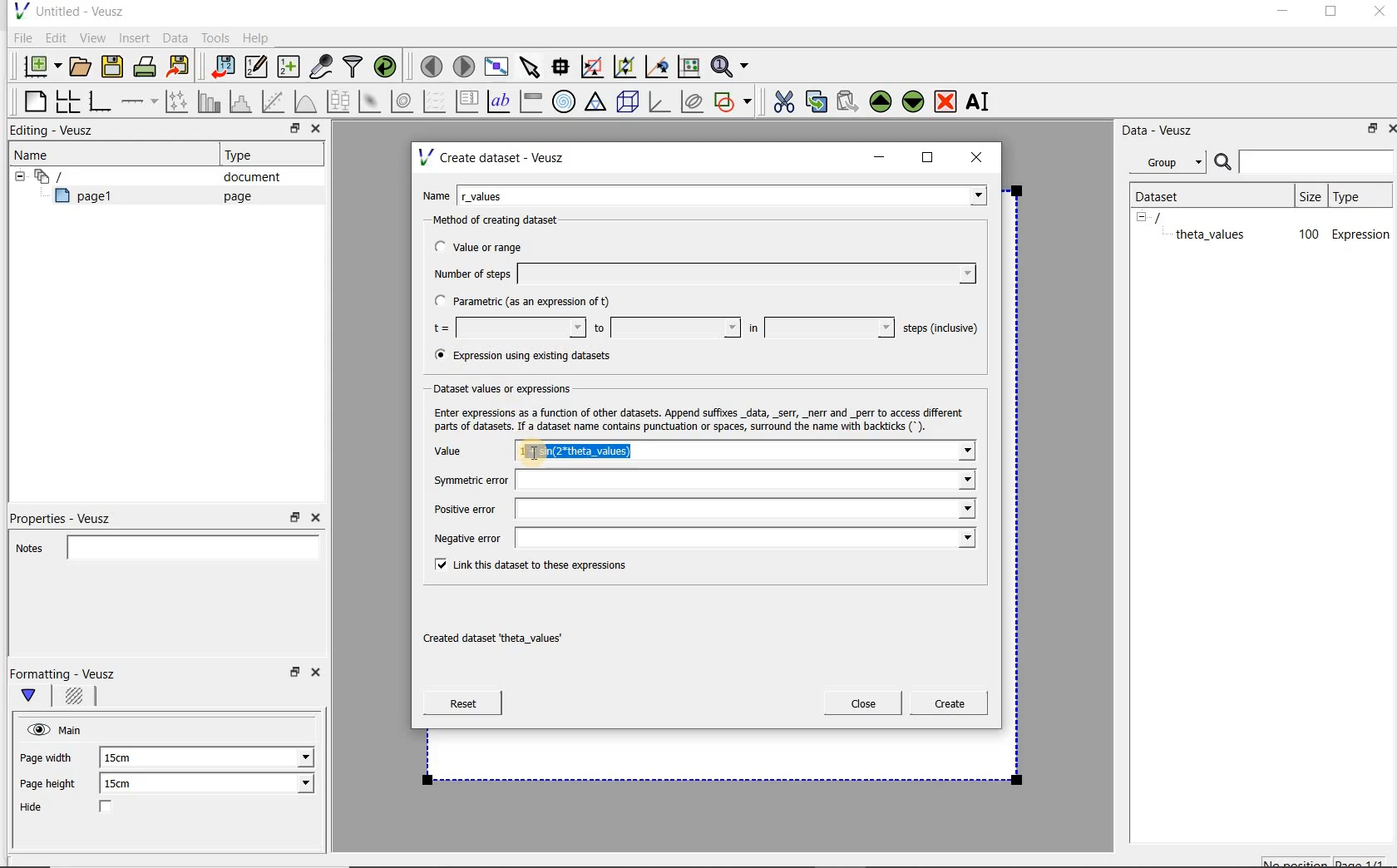 The image size is (1397, 868). I want to click on minimize, so click(1281, 13).